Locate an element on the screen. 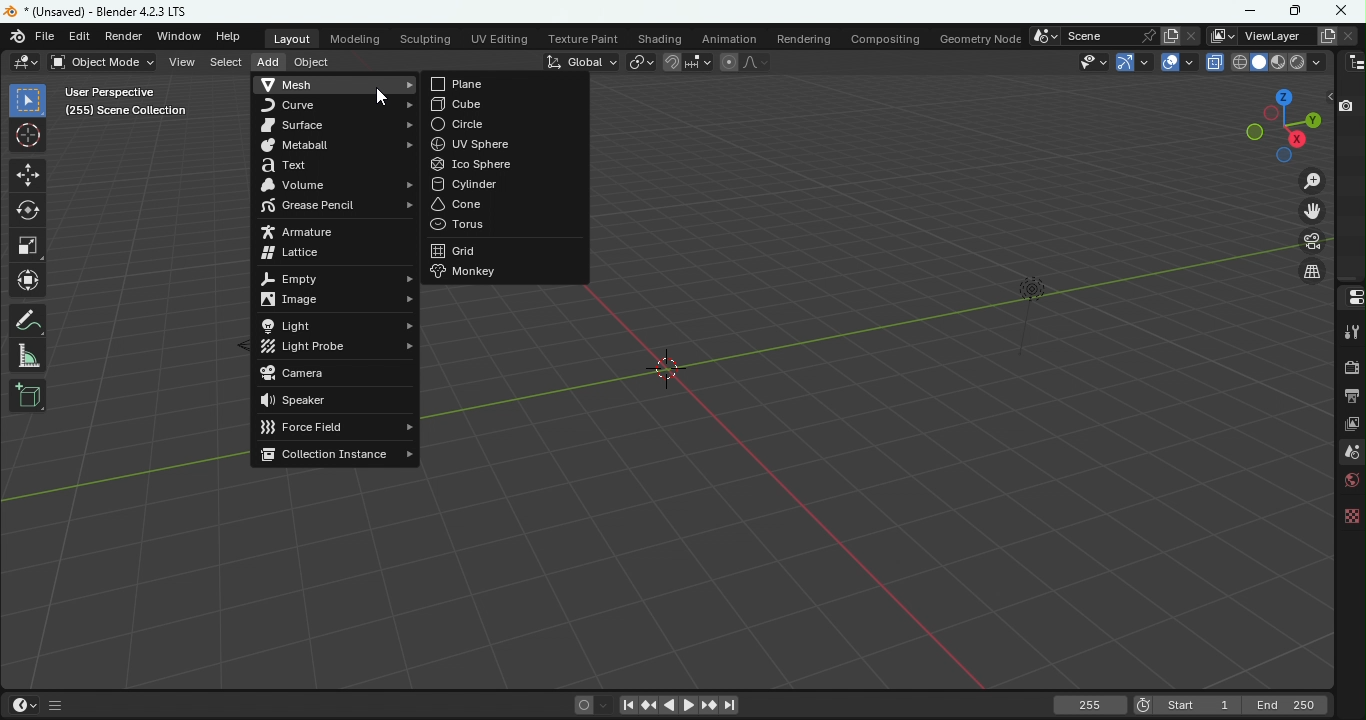 Image resolution: width=1366 pixels, height=720 pixels. Camera is located at coordinates (341, 374).